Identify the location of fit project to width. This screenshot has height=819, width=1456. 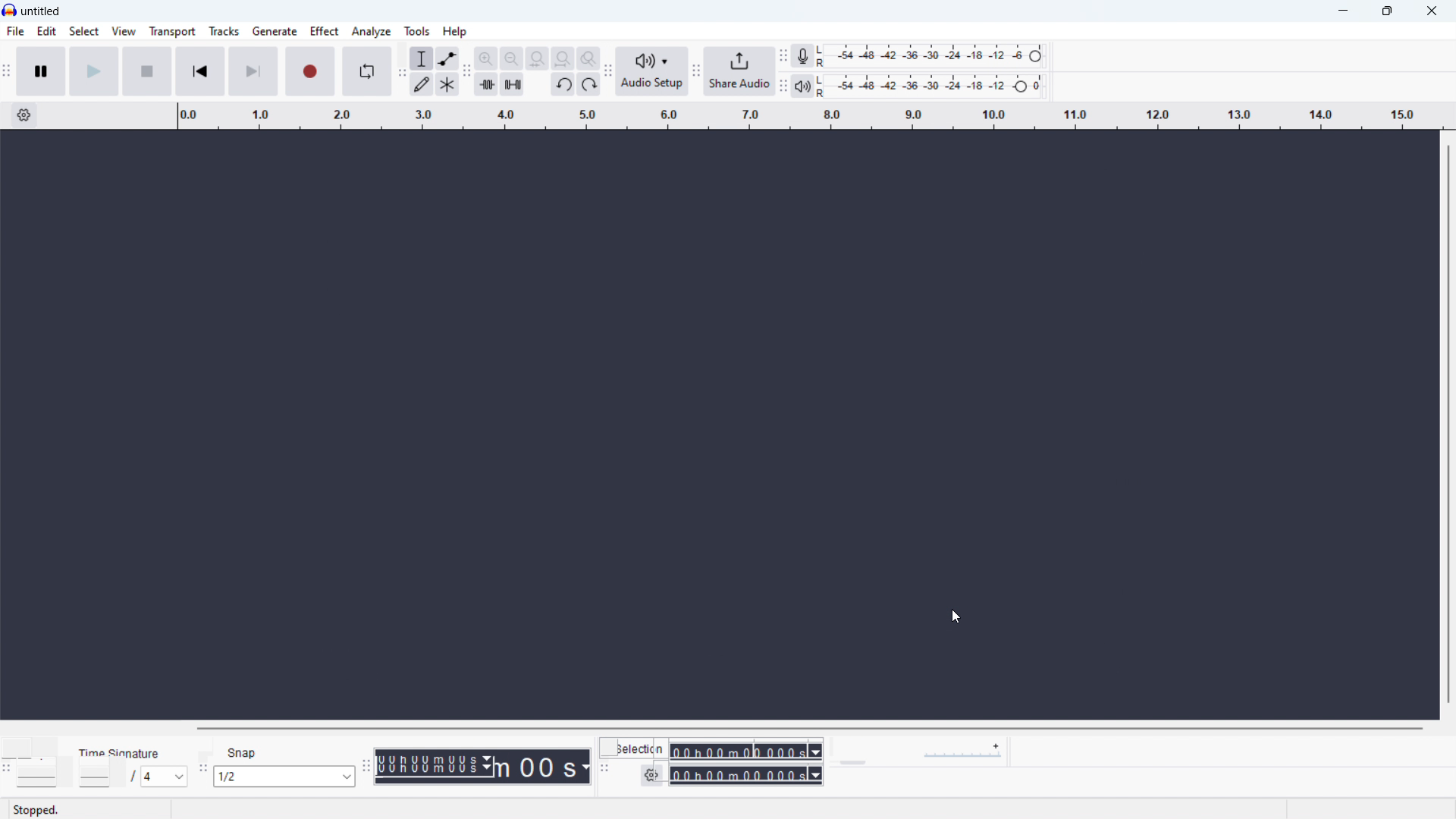
(562, 58).